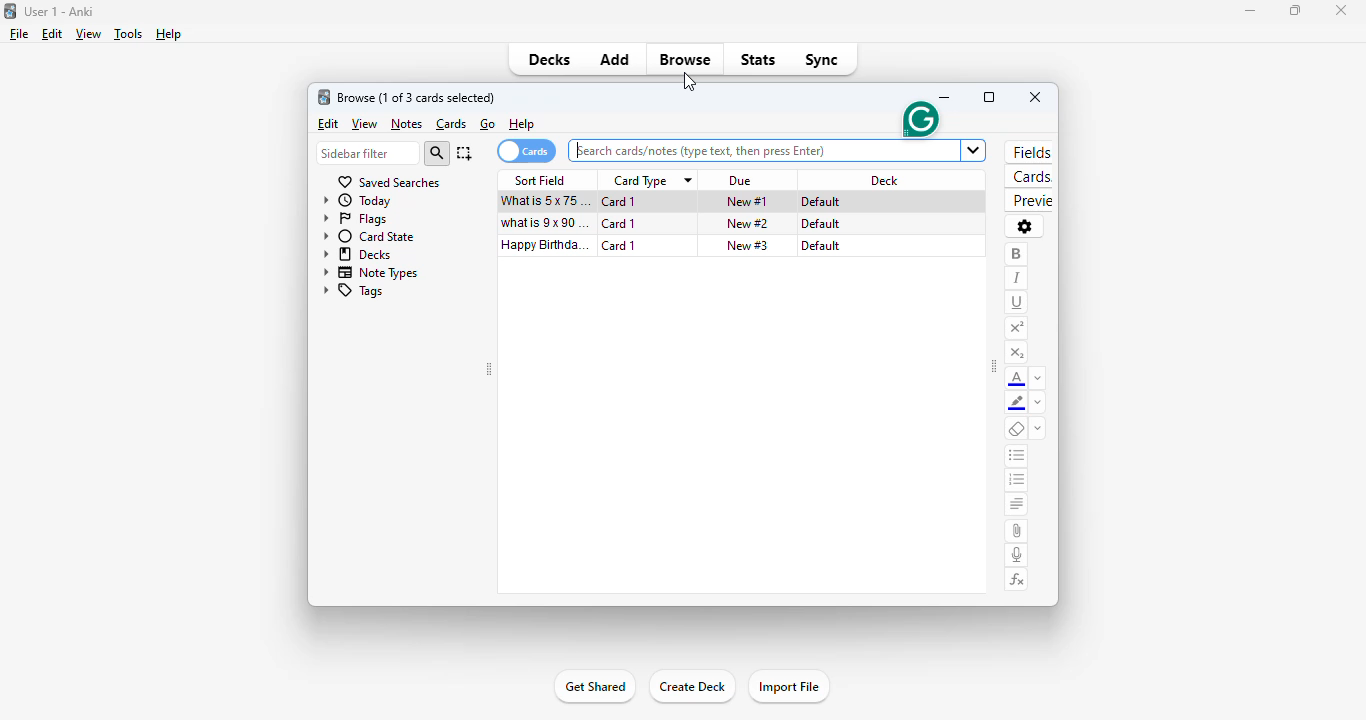  Describe the element at coordinates (169, 34) in the screenshot. I see `help` at that location.